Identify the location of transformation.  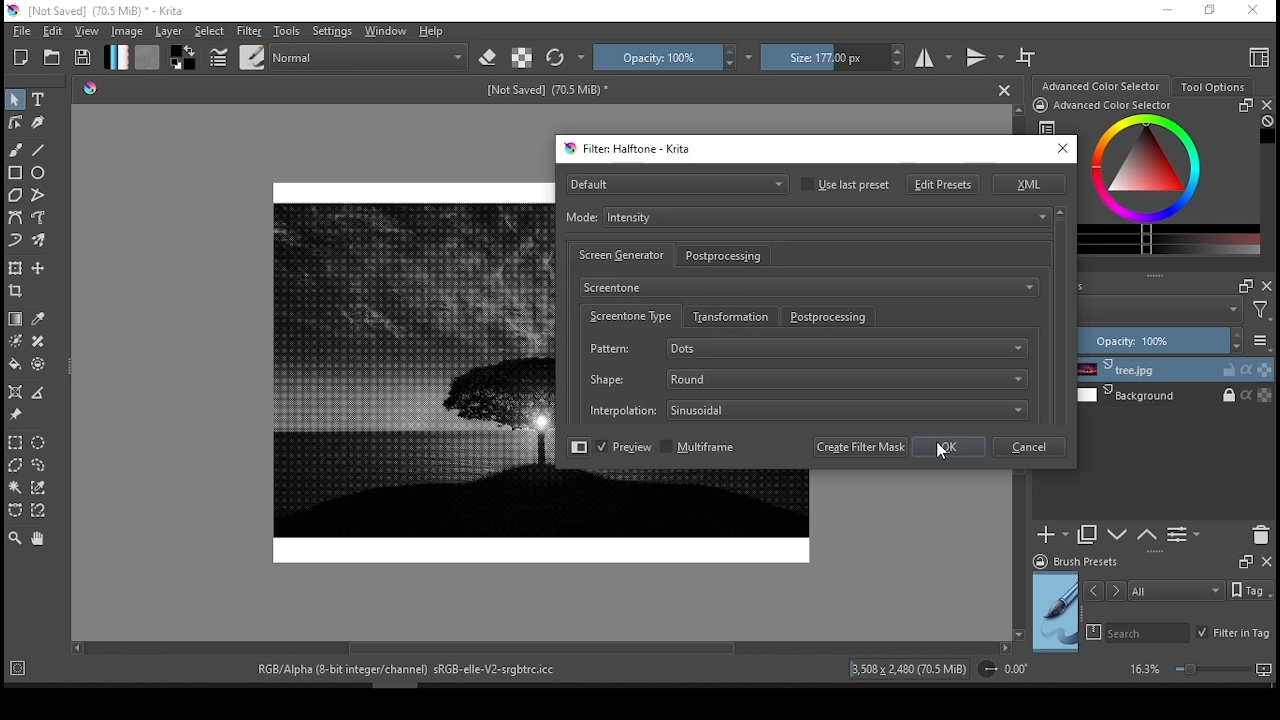
(732, 317).